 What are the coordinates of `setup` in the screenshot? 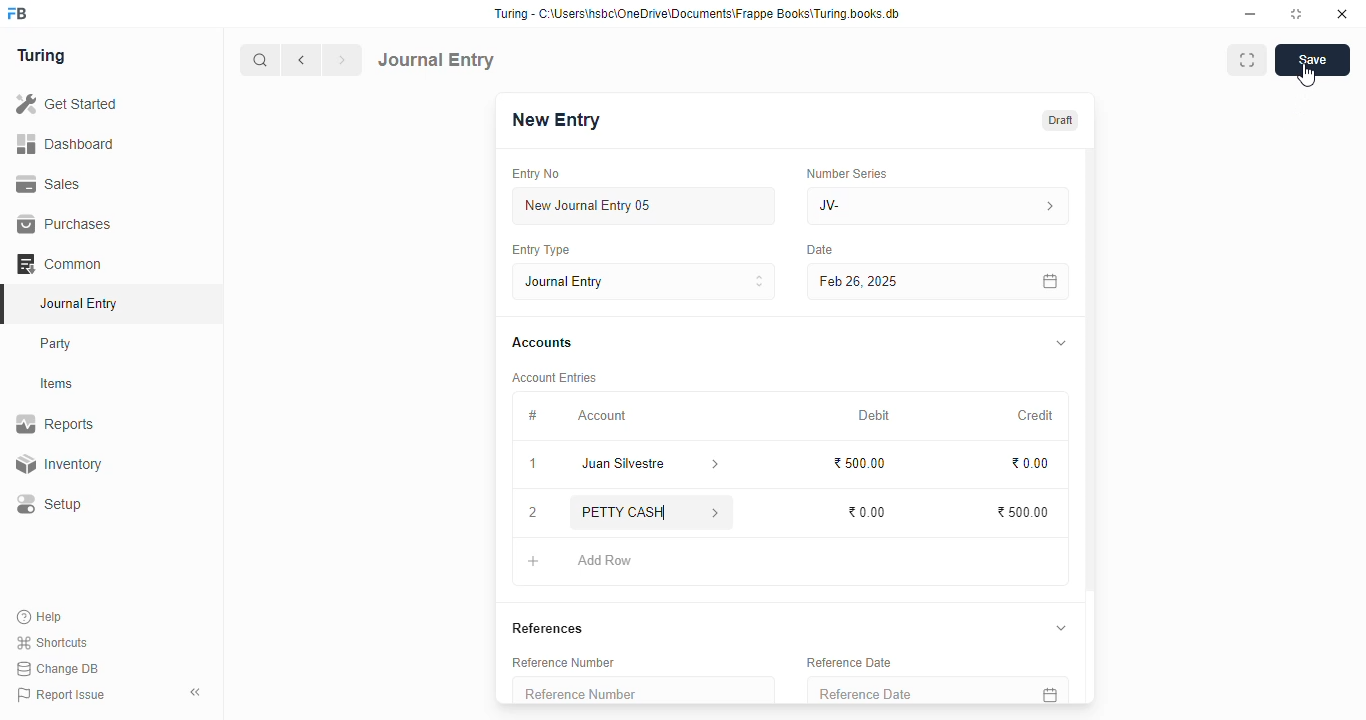 It's located at (51, 505).